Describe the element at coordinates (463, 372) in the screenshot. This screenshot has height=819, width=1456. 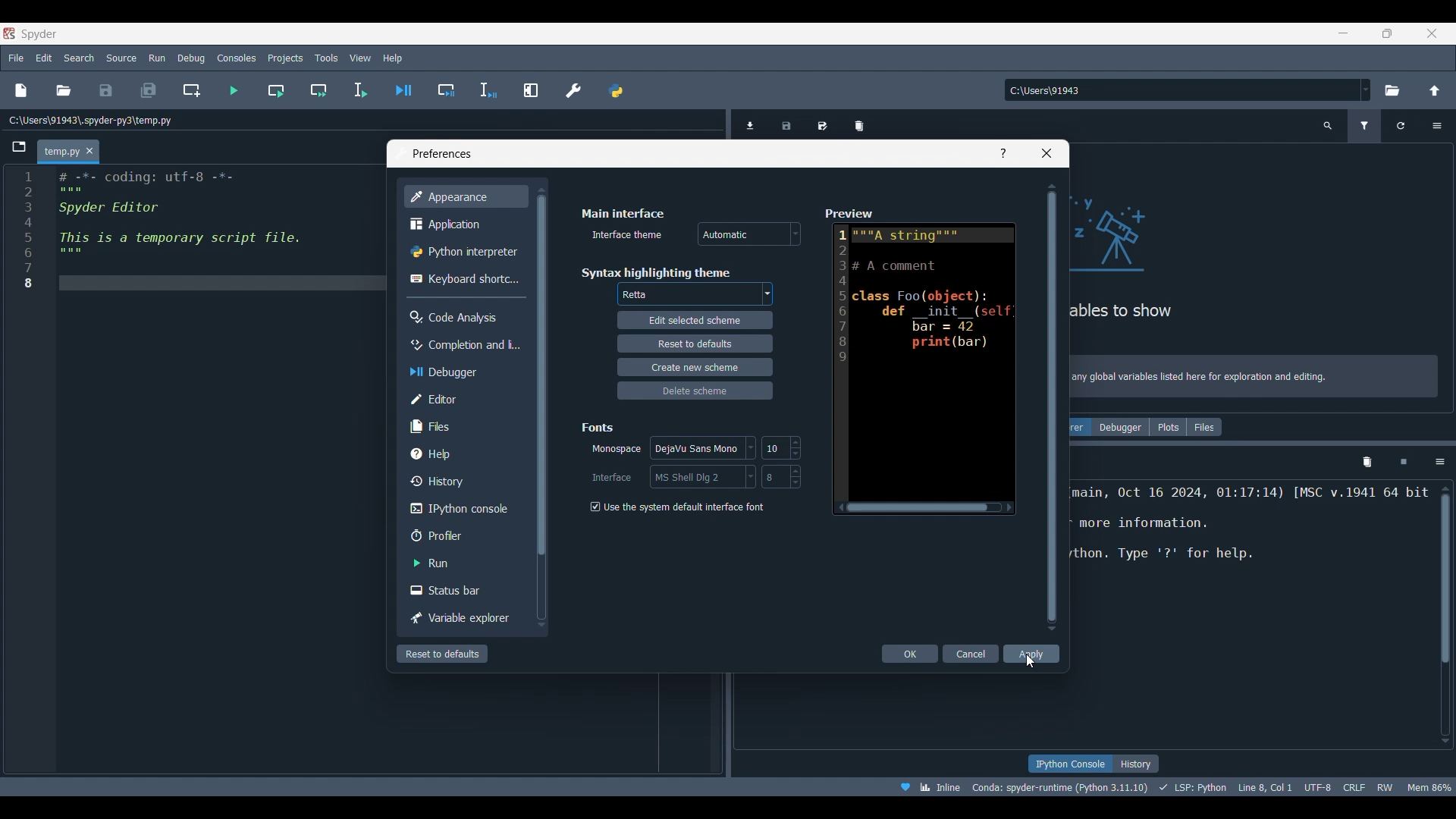
I see `Debugger` at that location.